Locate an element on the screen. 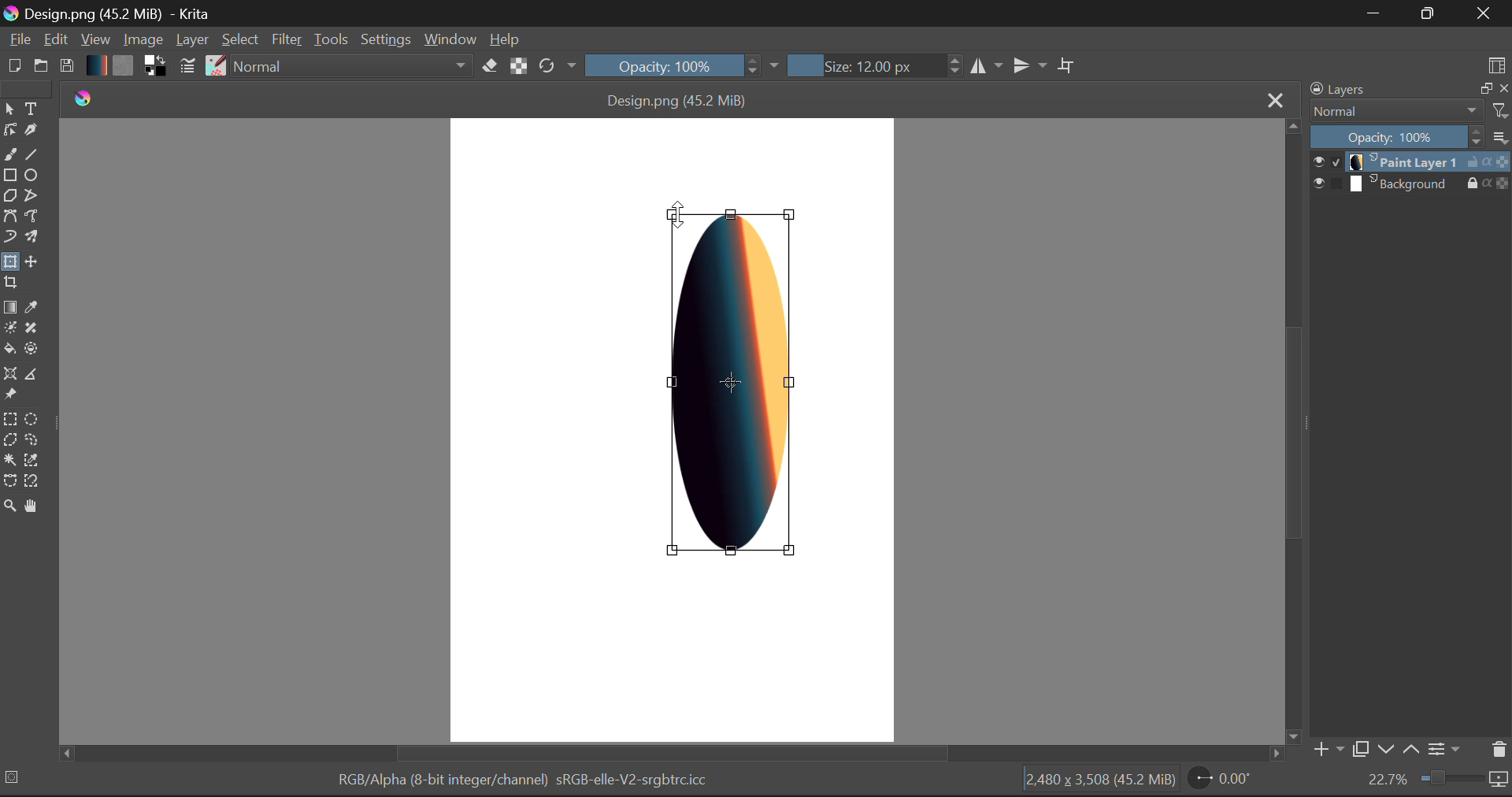 This screenshot has height=797, width=1512. Select is located at coordinates (242, 40).